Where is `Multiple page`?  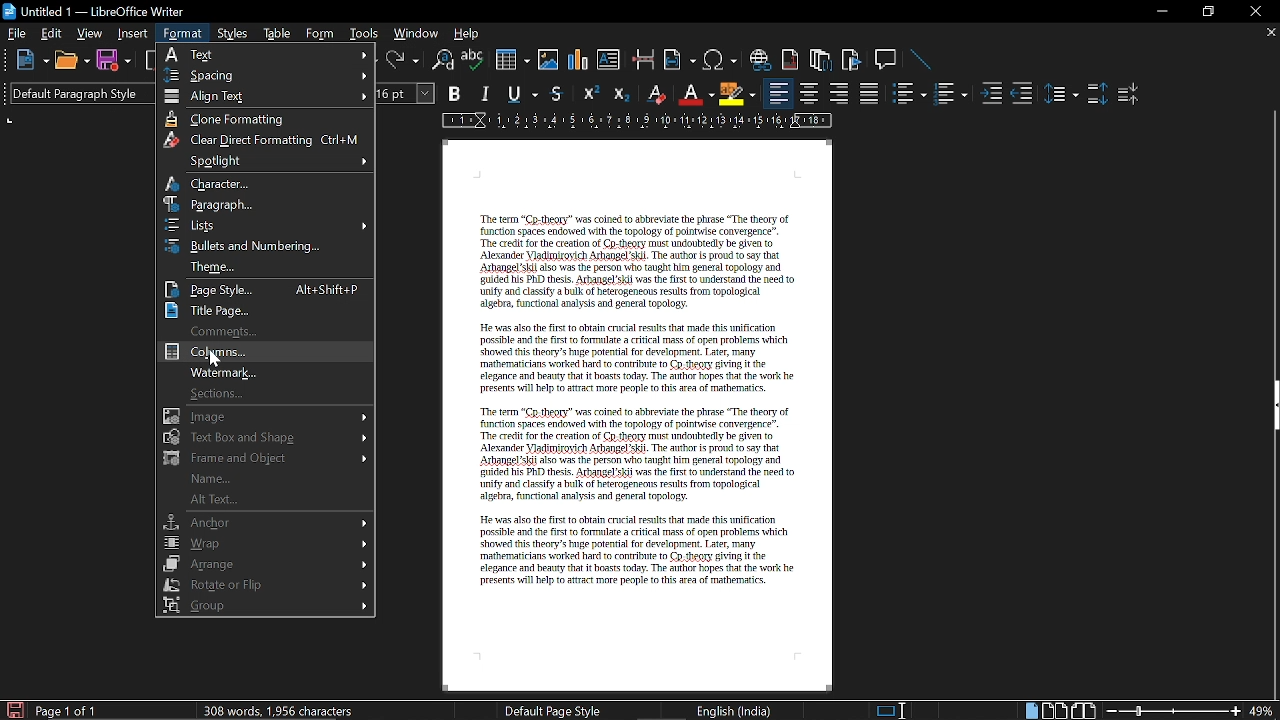 Multiple page is located at coordinates (1054, 708).